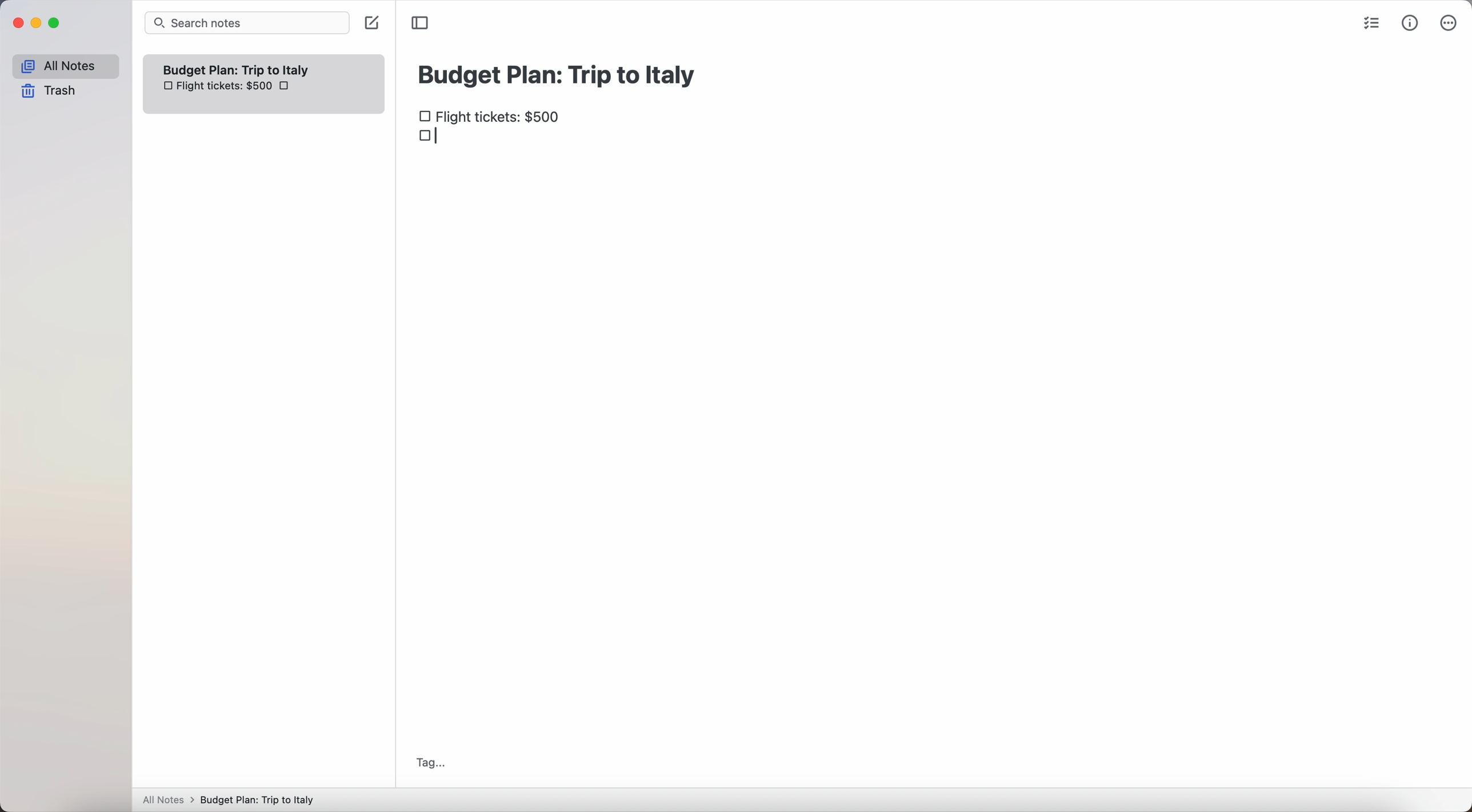 The image size is (1472, 812). I want to click on budget plan: trip to Italy, so click(559, 73).